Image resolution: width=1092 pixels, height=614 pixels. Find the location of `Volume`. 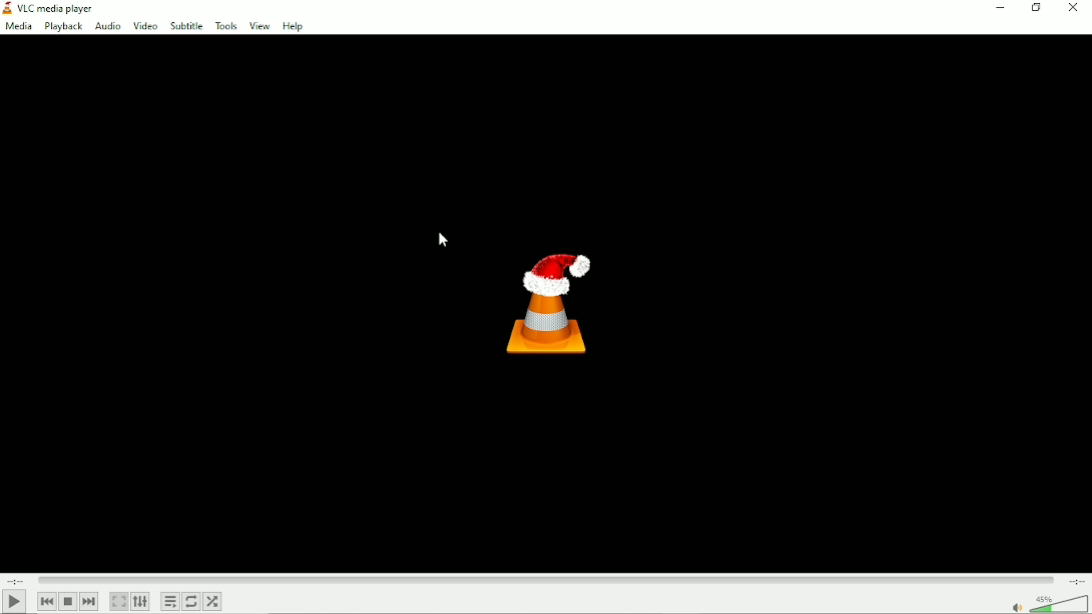

Volume is located at coordinates (1046, 603).